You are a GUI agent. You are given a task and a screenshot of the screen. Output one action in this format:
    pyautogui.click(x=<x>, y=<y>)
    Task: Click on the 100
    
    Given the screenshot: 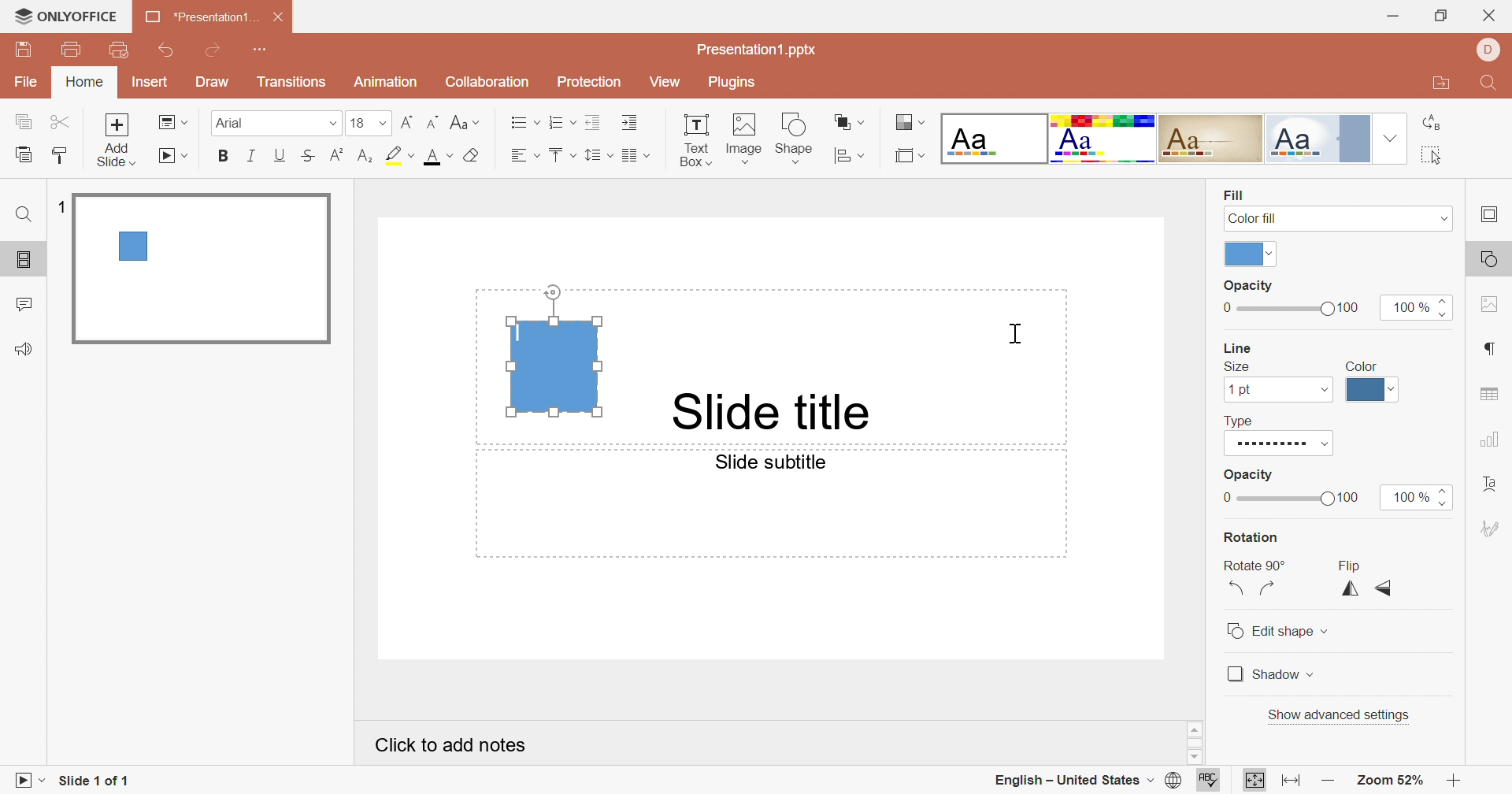 What is the action you would take?
    pyautogui.click(x=1350, y=307)
    